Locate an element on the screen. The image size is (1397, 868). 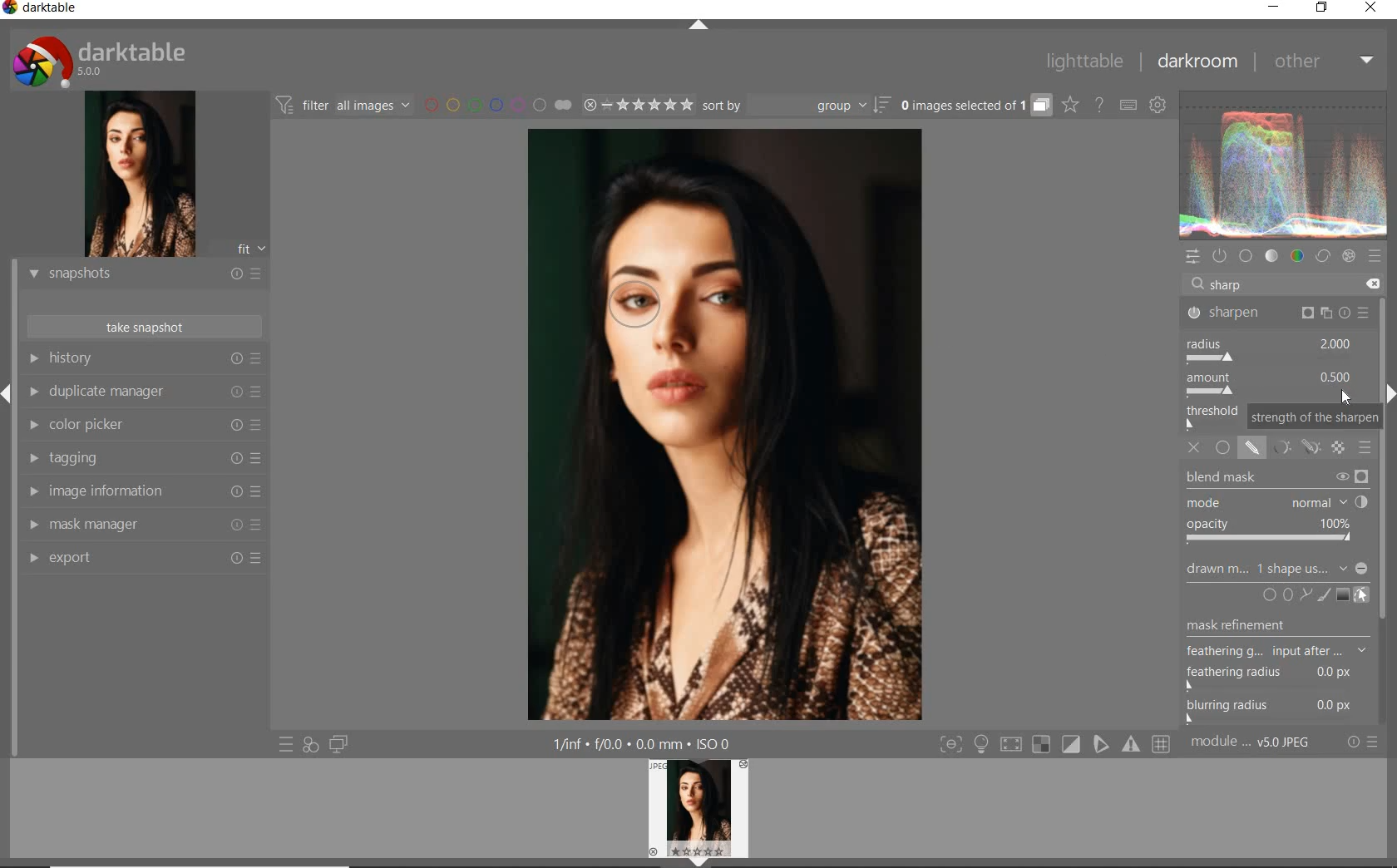
no mask is located at coordinates (1291, 568).